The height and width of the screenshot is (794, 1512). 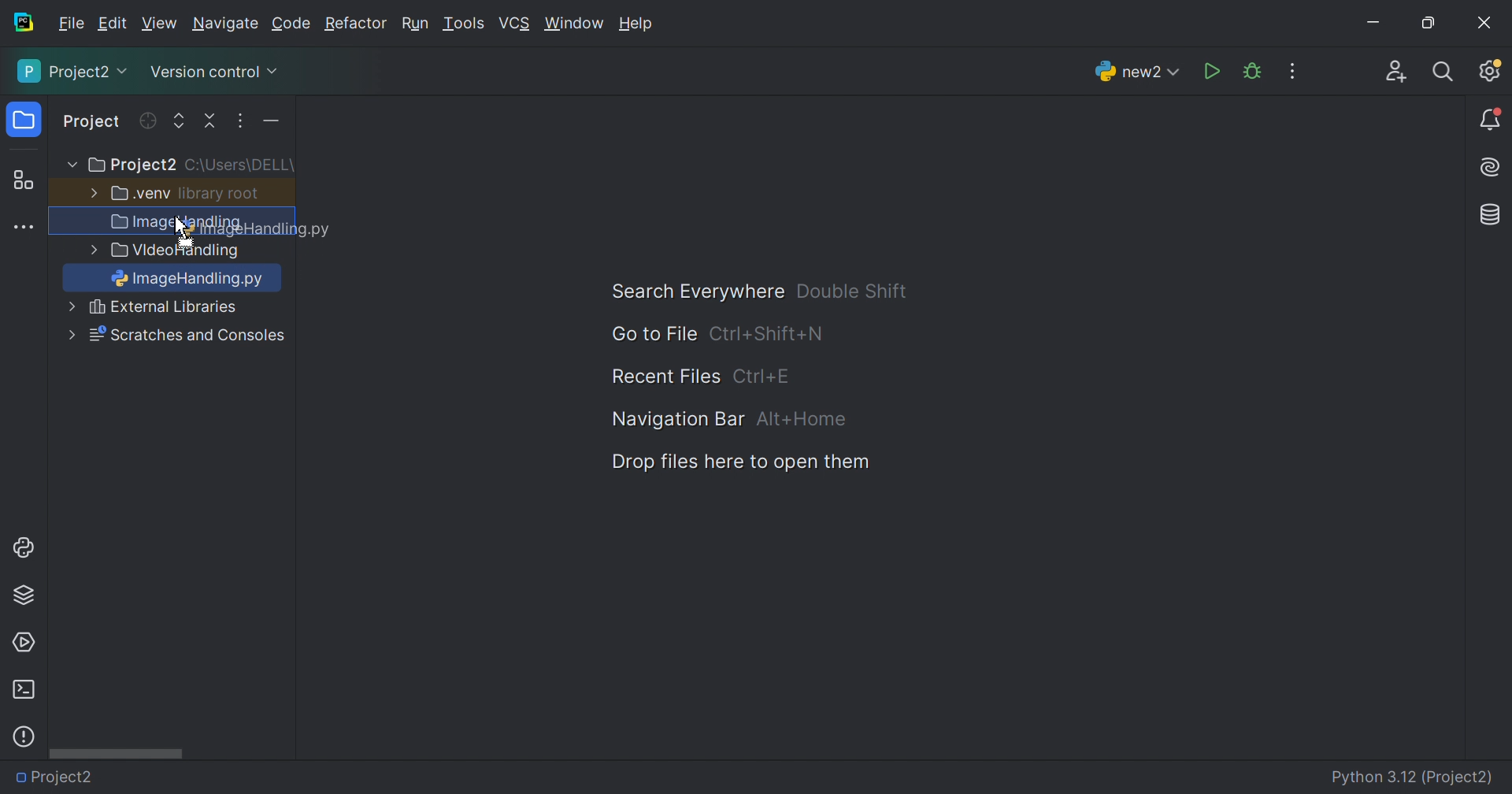 What do you see at coordinates (294, 24) in the screenshot?
I see `Code` at bounding box center [294, 24].